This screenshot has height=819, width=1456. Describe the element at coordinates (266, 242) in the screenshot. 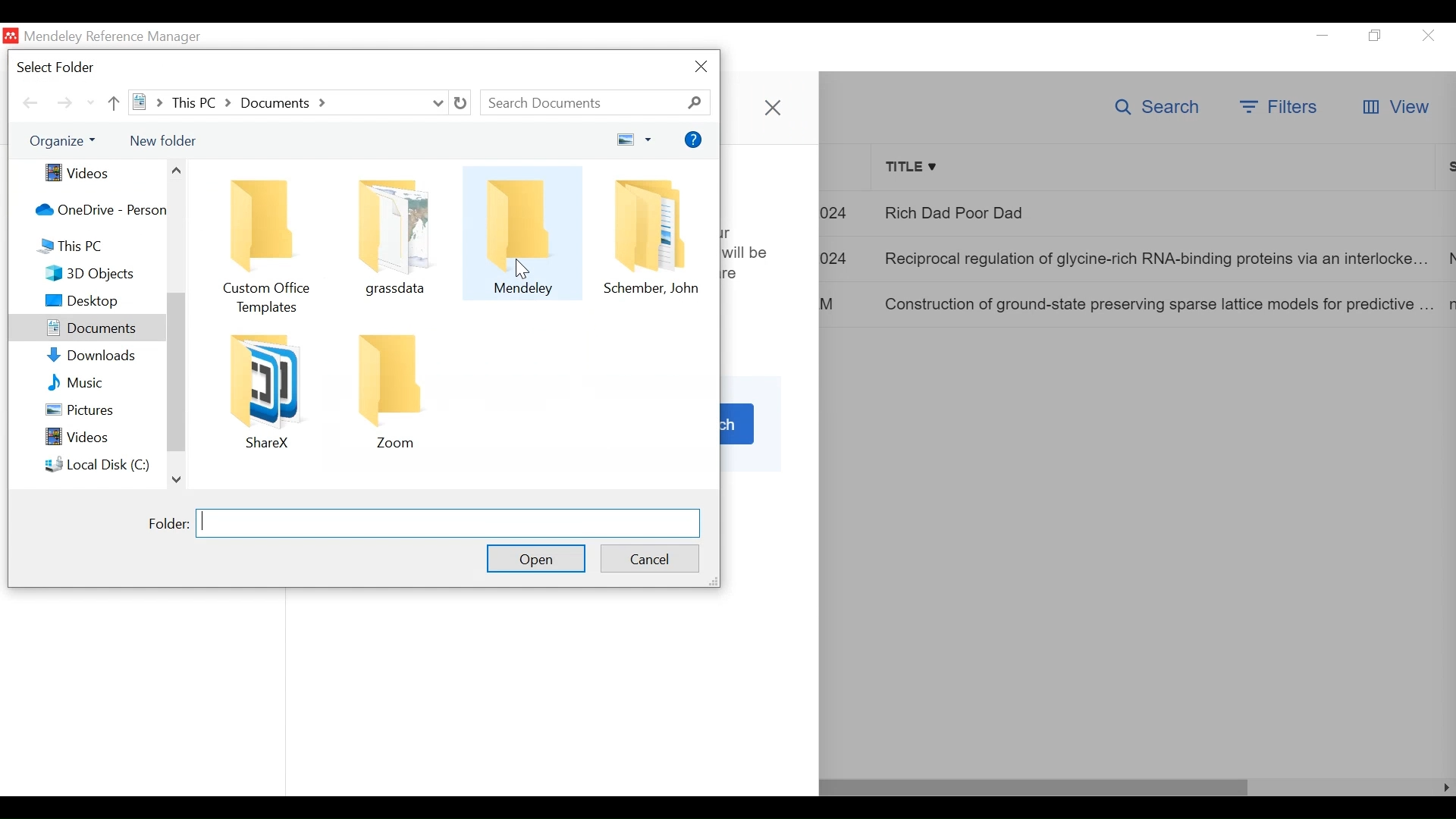

I see `Folder` at that location.